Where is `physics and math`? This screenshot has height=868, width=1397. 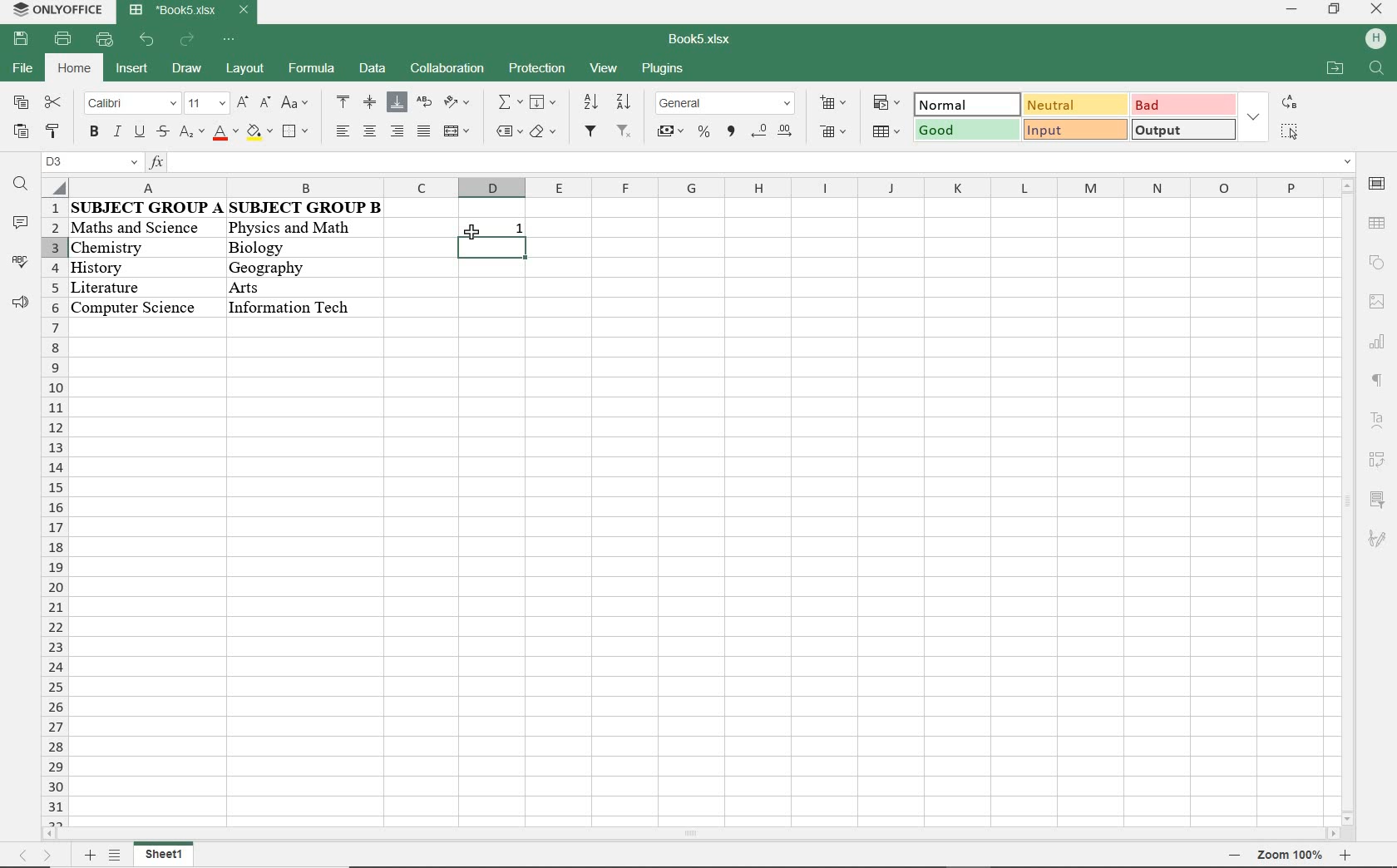
physics and math is located at coordinates (290, 230).